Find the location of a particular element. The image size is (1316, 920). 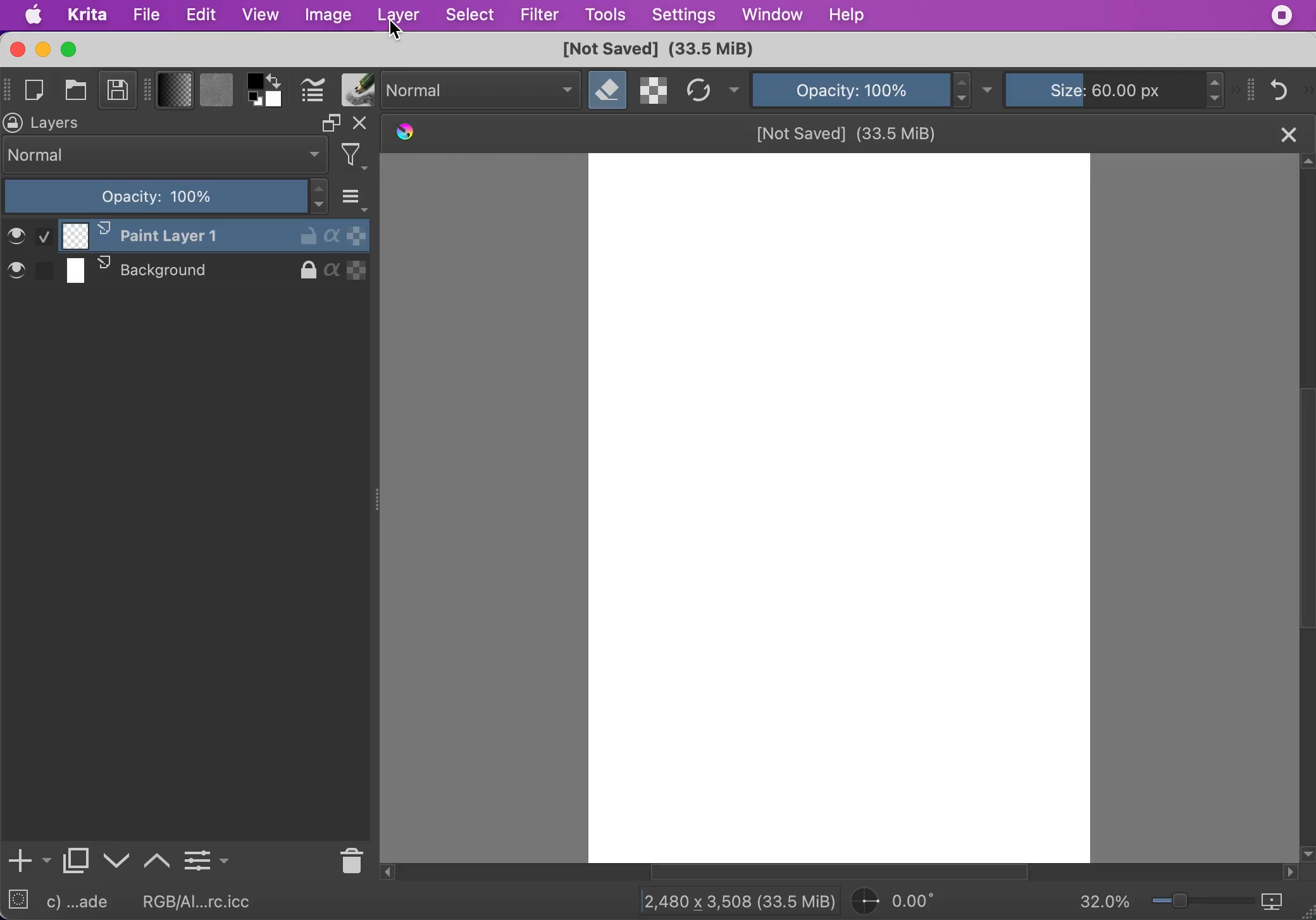

rgb/AI...rc.icc is located at coordinates (205, 902).